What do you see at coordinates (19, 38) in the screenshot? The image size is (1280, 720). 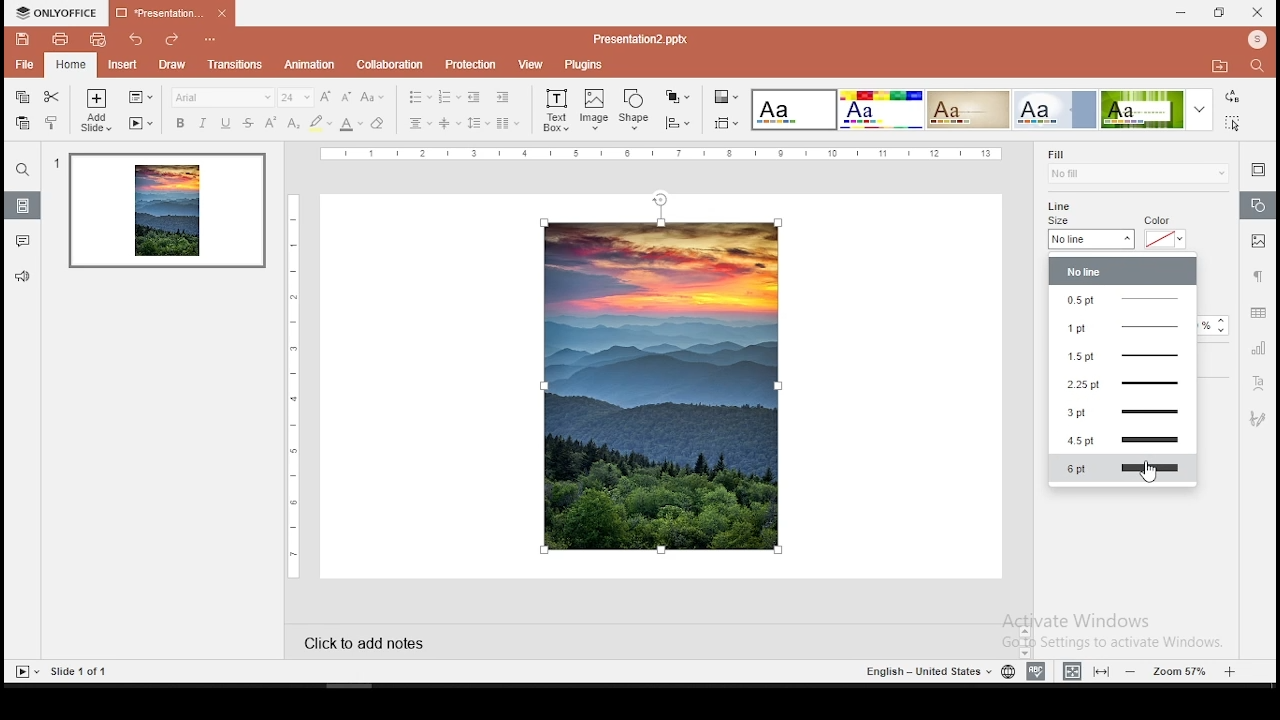 I see `save` at bounding box center [19, 38].